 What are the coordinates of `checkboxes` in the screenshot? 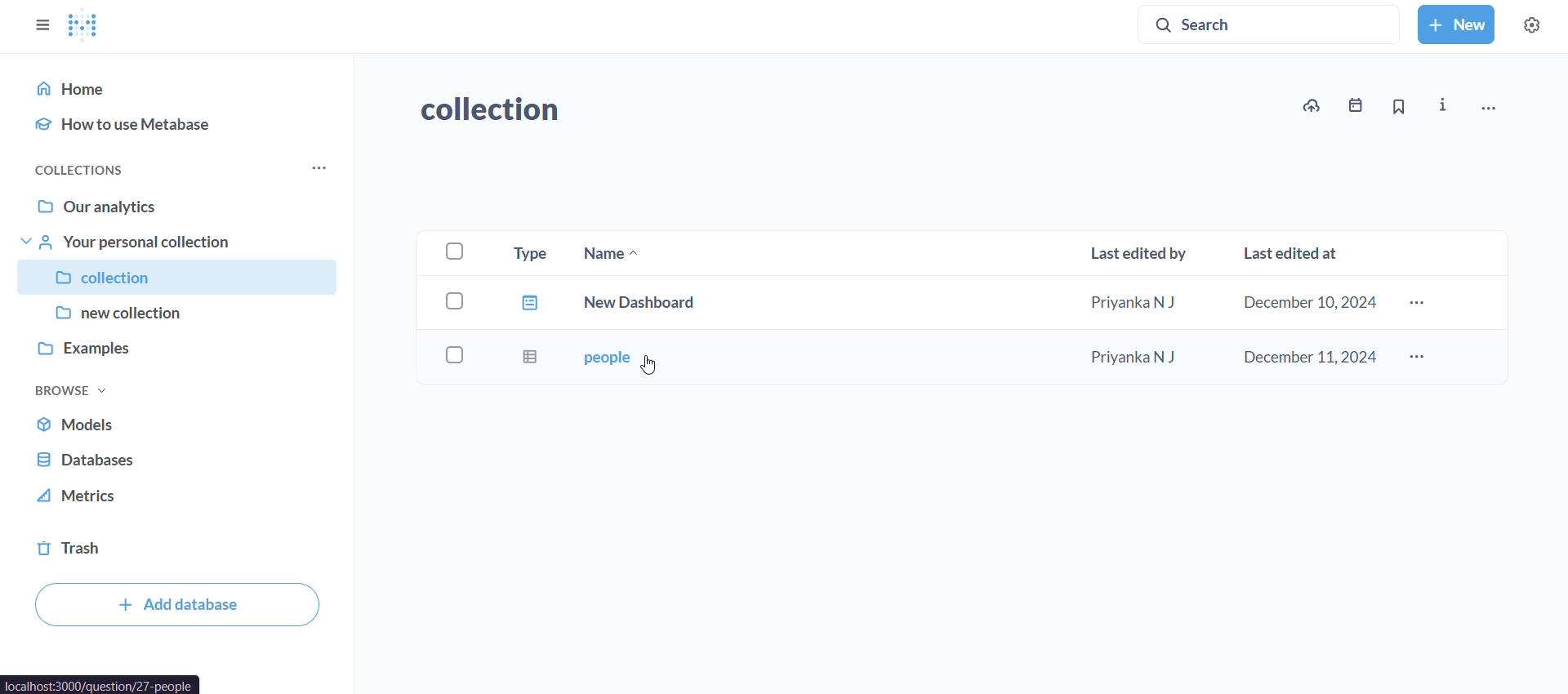 It's located at (451, 309).